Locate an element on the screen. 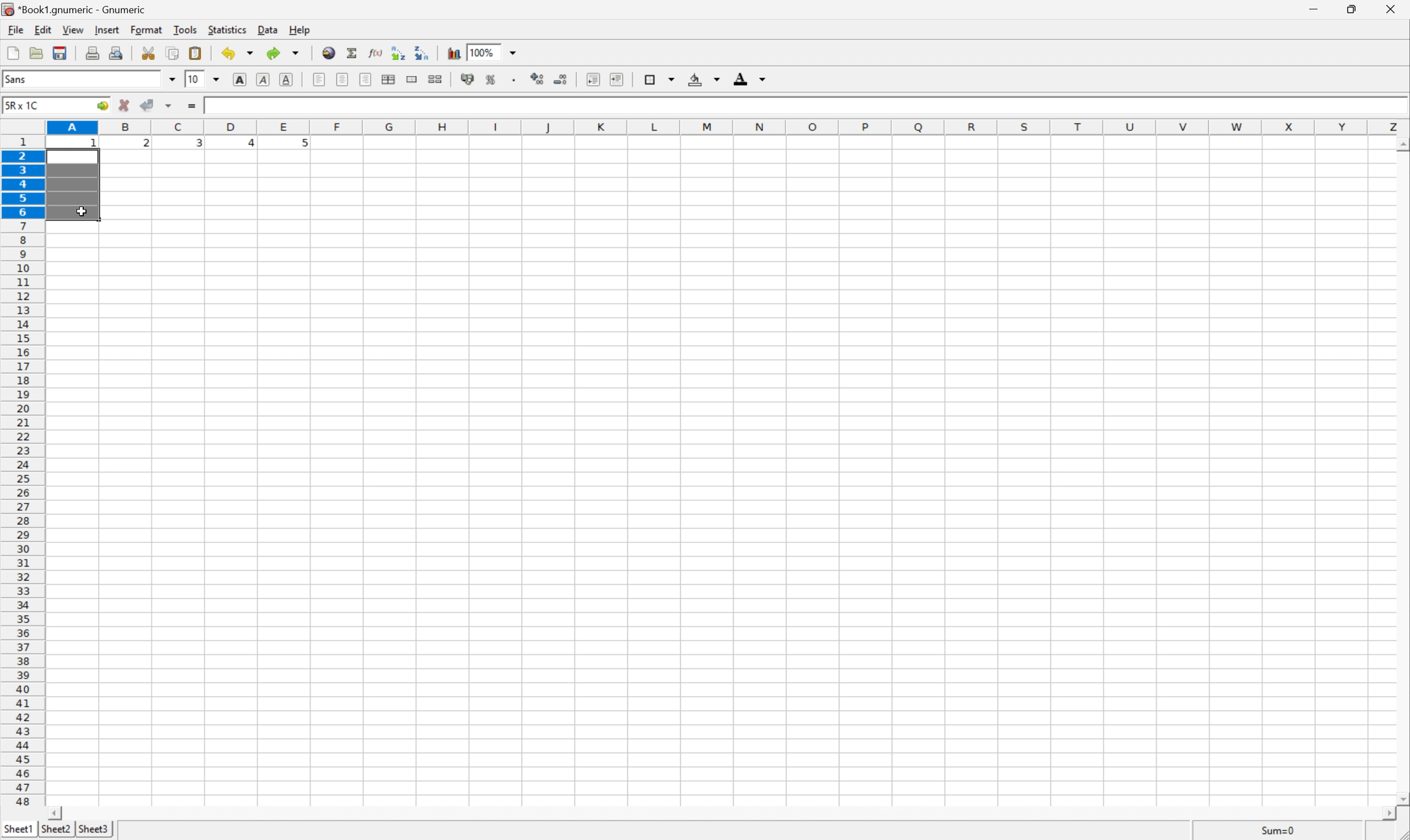 The height and width of the screenshot is (840, 1410). foreground is located at coordinates (752, 80).